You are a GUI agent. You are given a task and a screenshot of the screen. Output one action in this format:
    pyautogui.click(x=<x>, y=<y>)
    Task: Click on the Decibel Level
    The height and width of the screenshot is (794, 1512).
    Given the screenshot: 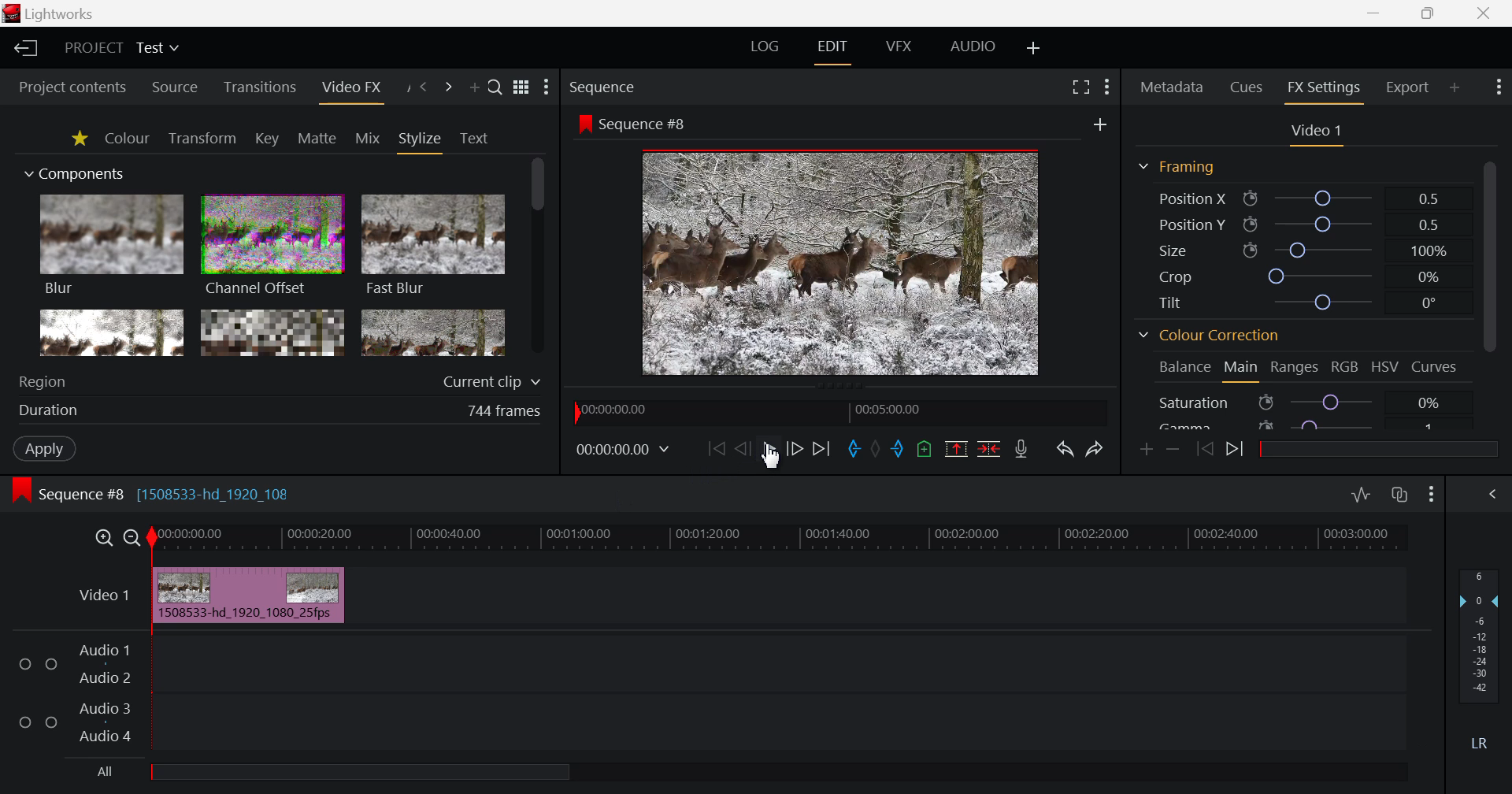 What is the action you would take?
    pyautogui.click(x=1480, y=655)
    